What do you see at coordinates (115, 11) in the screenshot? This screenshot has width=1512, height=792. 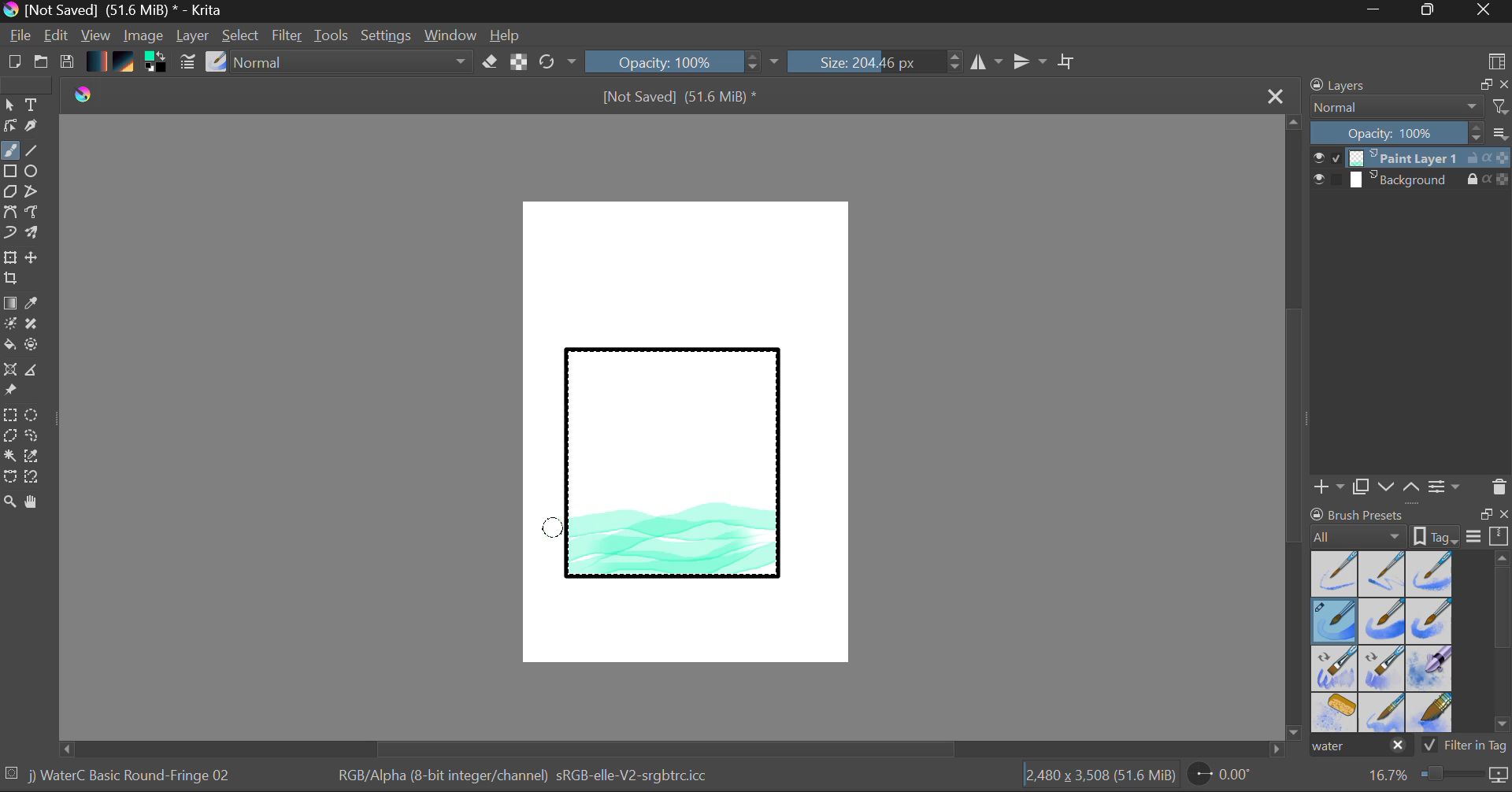 I see `Window Title` at bounding box center [115, 11].